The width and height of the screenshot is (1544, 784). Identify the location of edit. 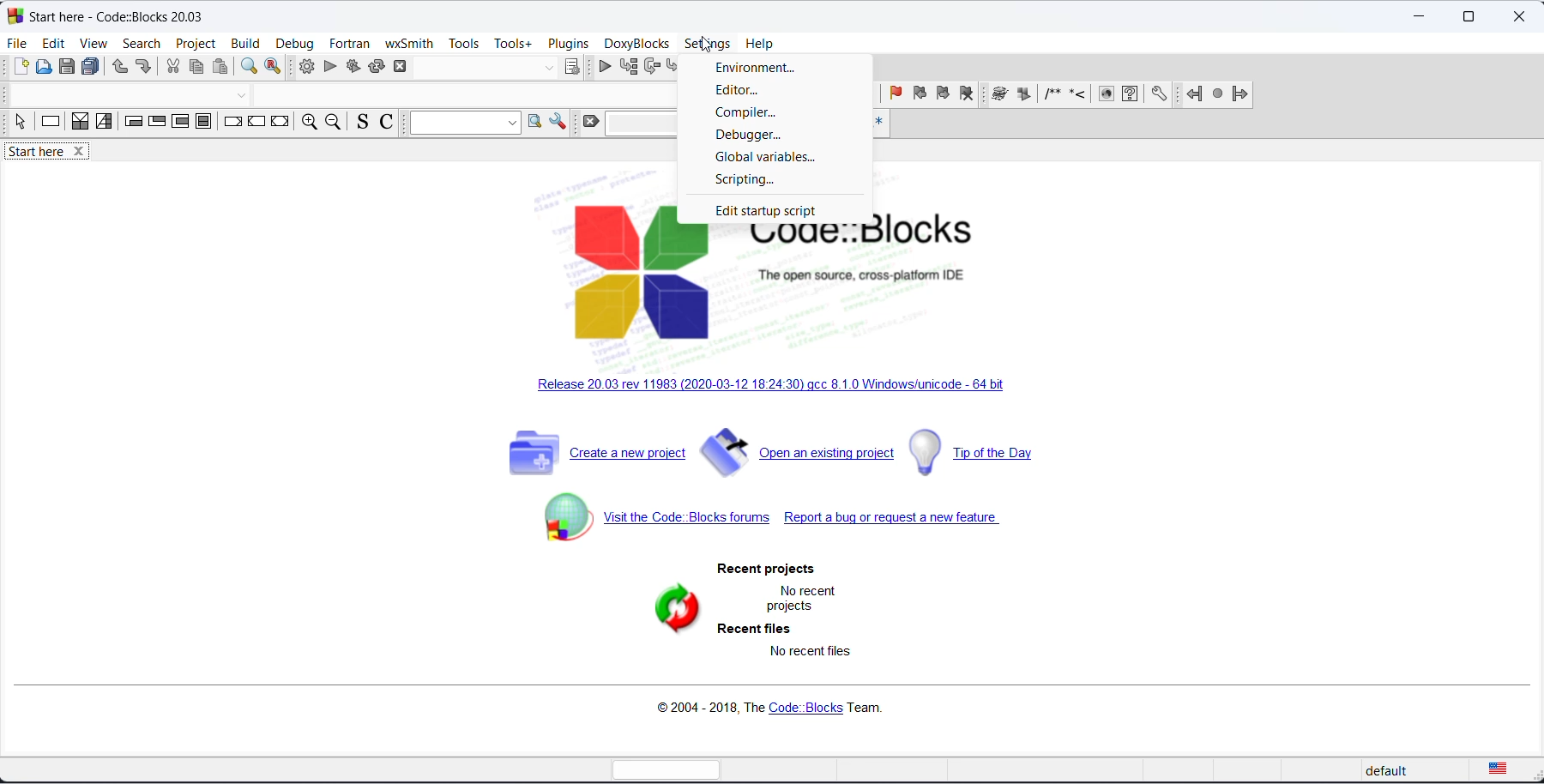
(53, 43).